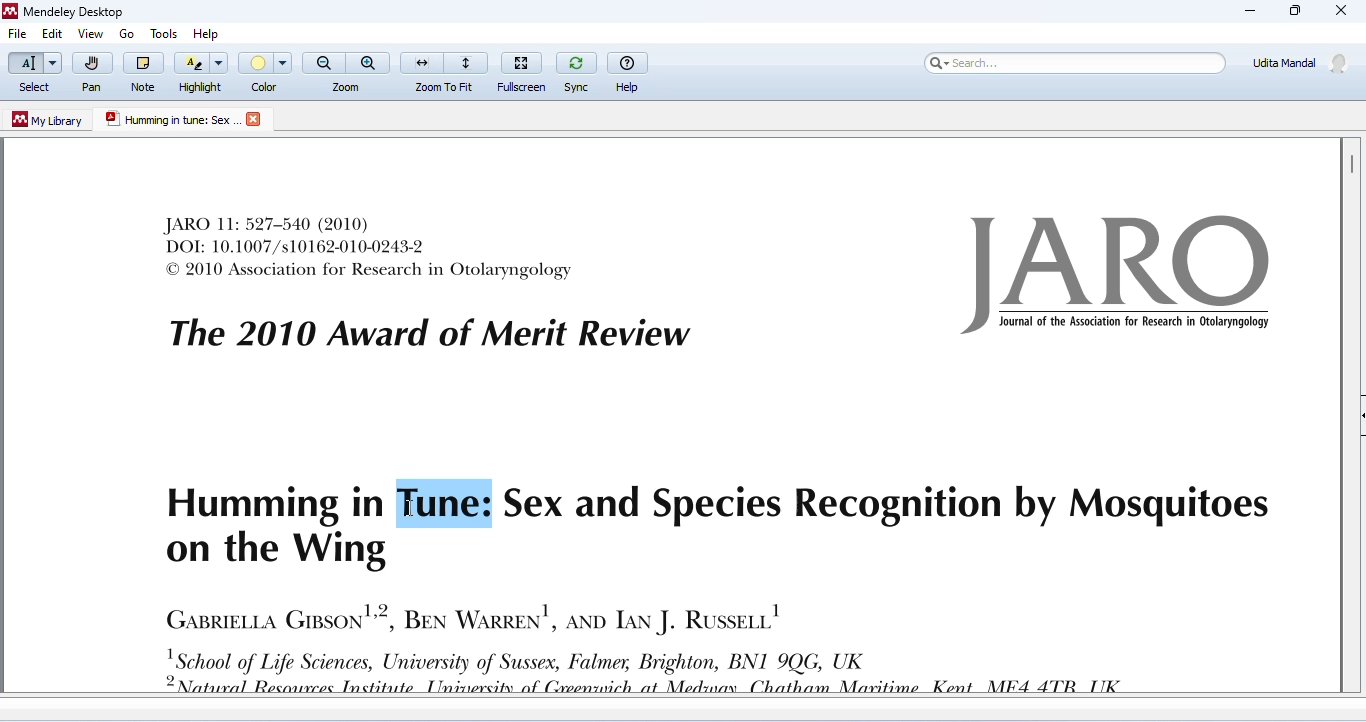  What do you see at coordinates (370, 247) in the screenshot?
I see `JARO 11: 527-540 (2010)
DOI: 10.1007/510162-010-0243-2
© 2010 Association for Research in Otolaryngology` at bounding box center [370, 247].